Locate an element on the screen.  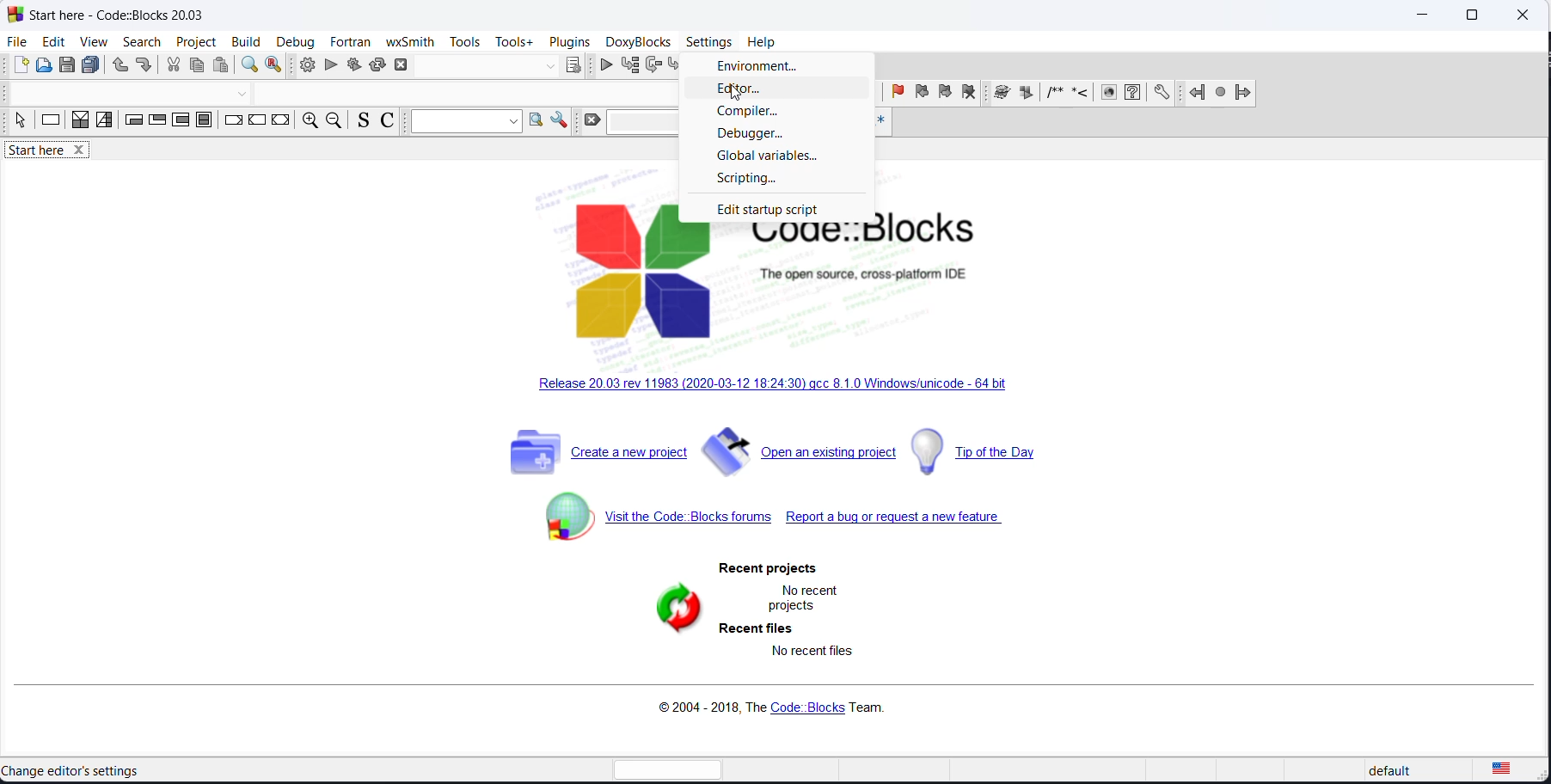
start here tab is located at coordinates (58, 153).